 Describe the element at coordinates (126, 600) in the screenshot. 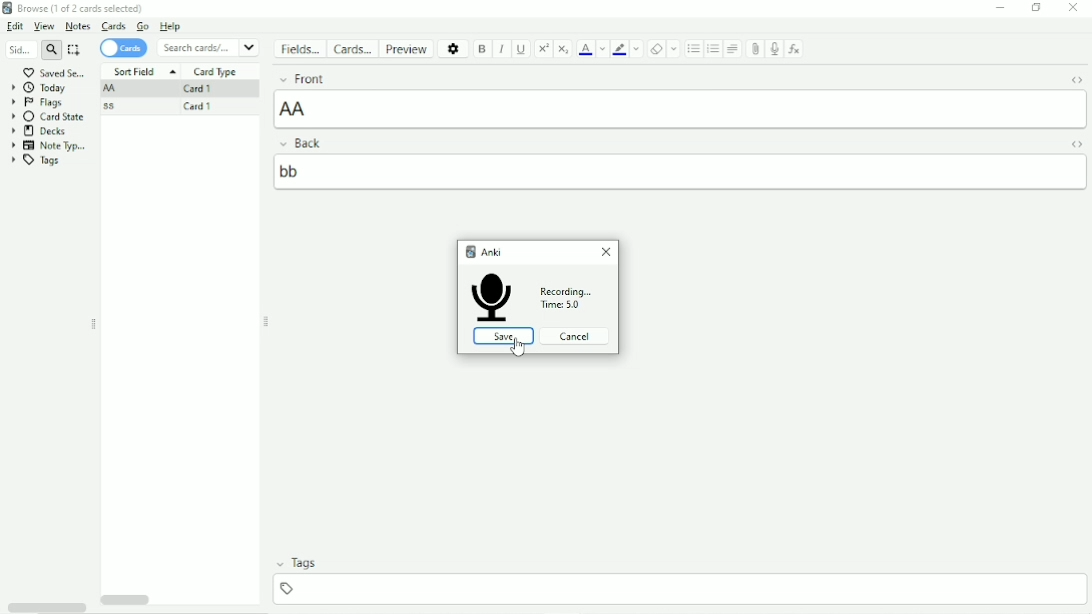

I see `Horizontal scrollbar` at that location.